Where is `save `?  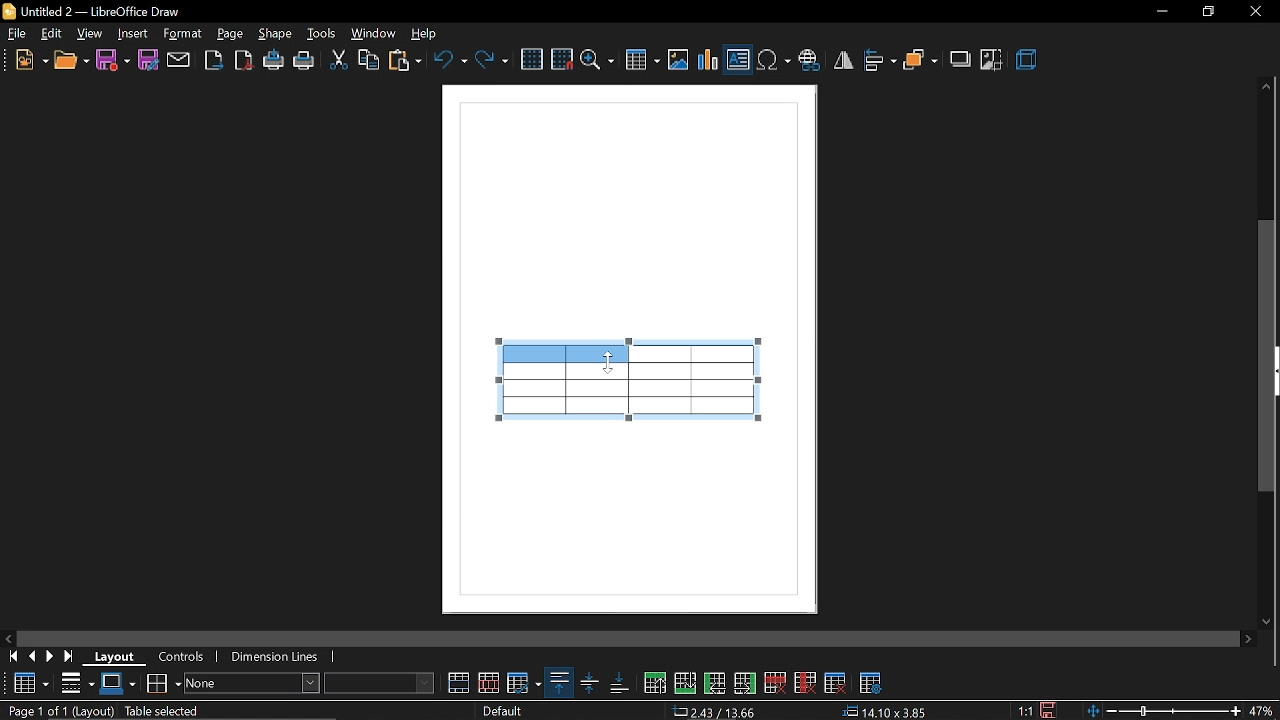 save  is located at coordinates (112, 61).